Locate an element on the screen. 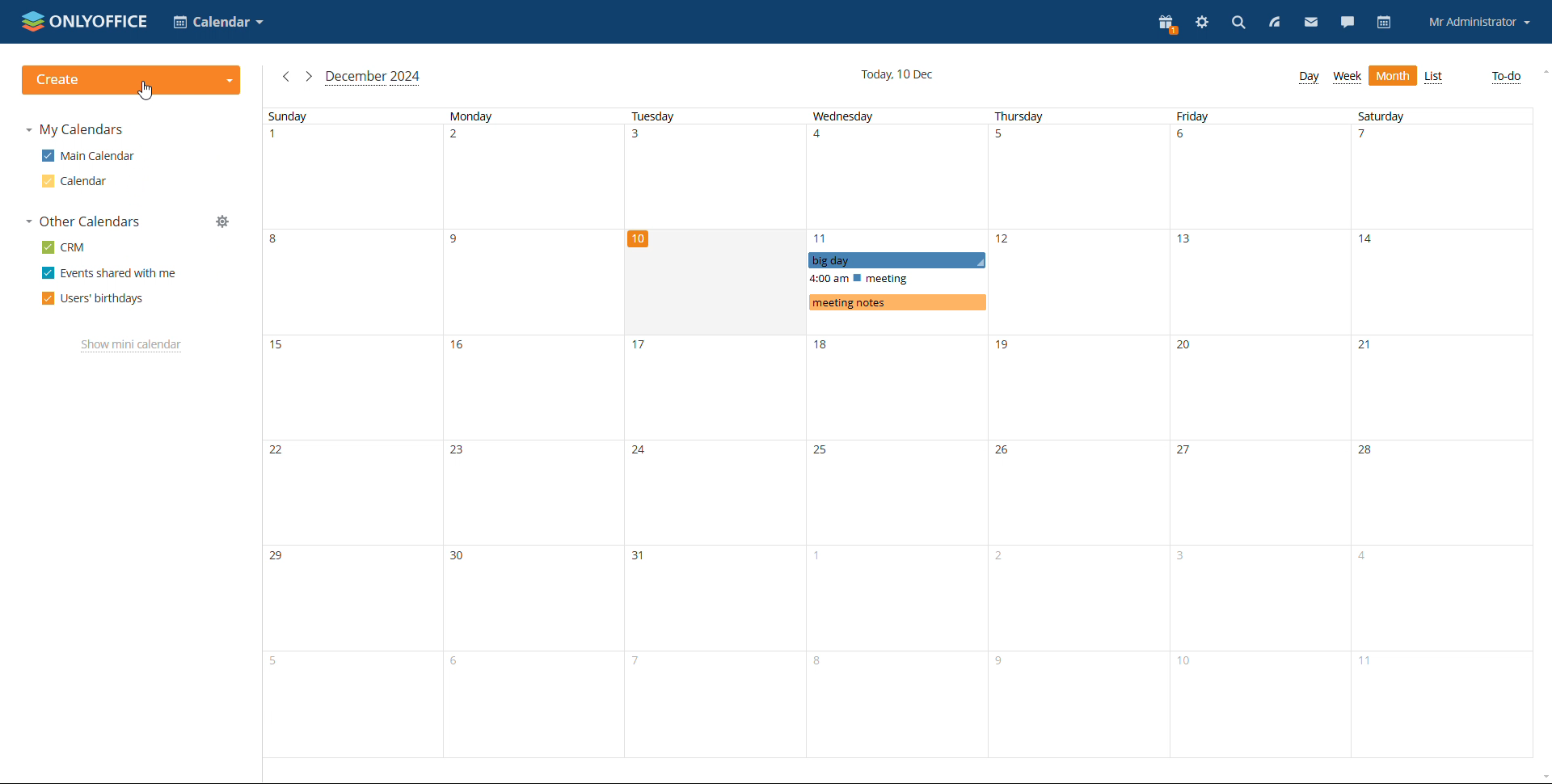  list view is located at coordinates (1435, 77).